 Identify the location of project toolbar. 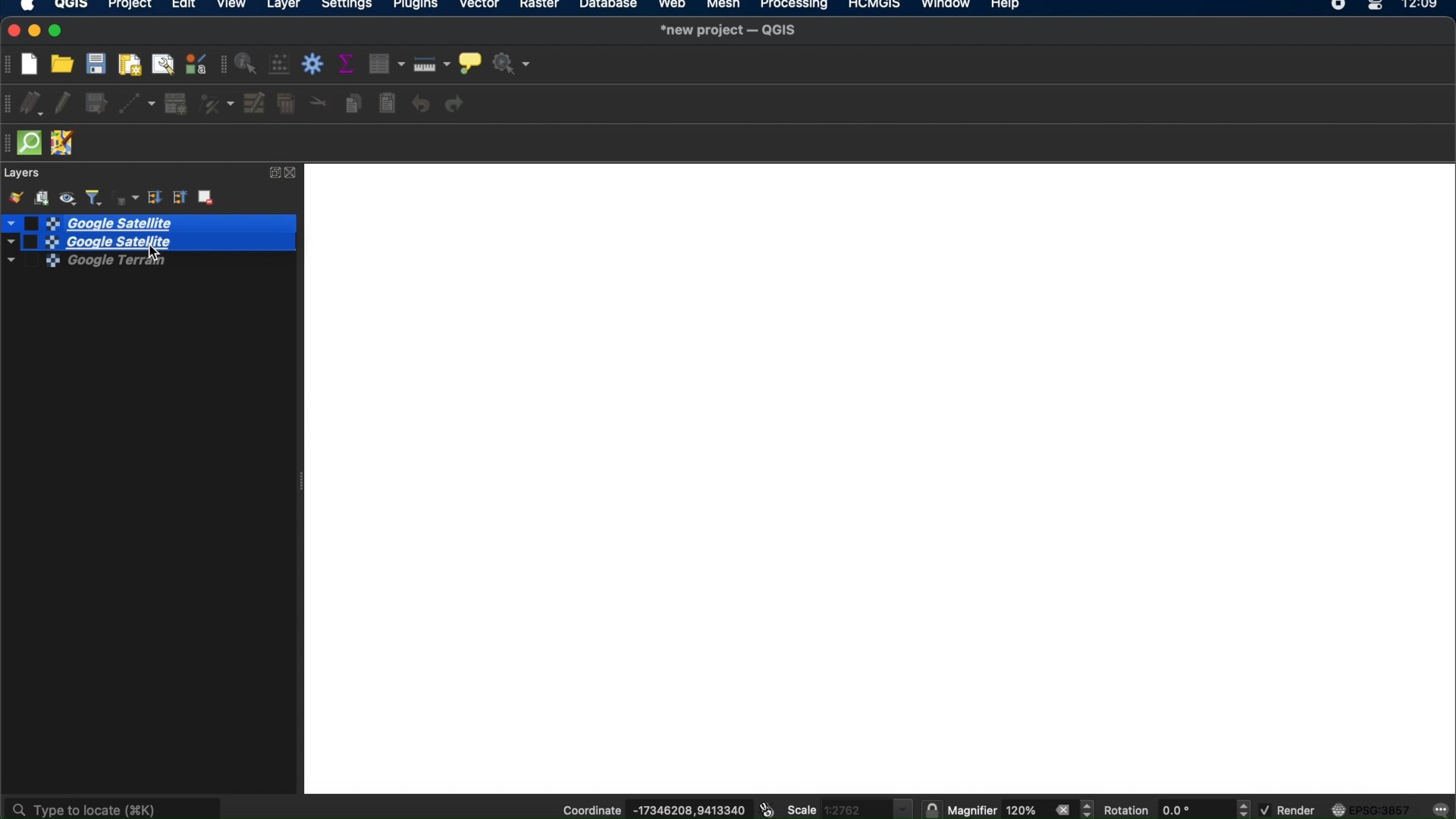
(9, 64).